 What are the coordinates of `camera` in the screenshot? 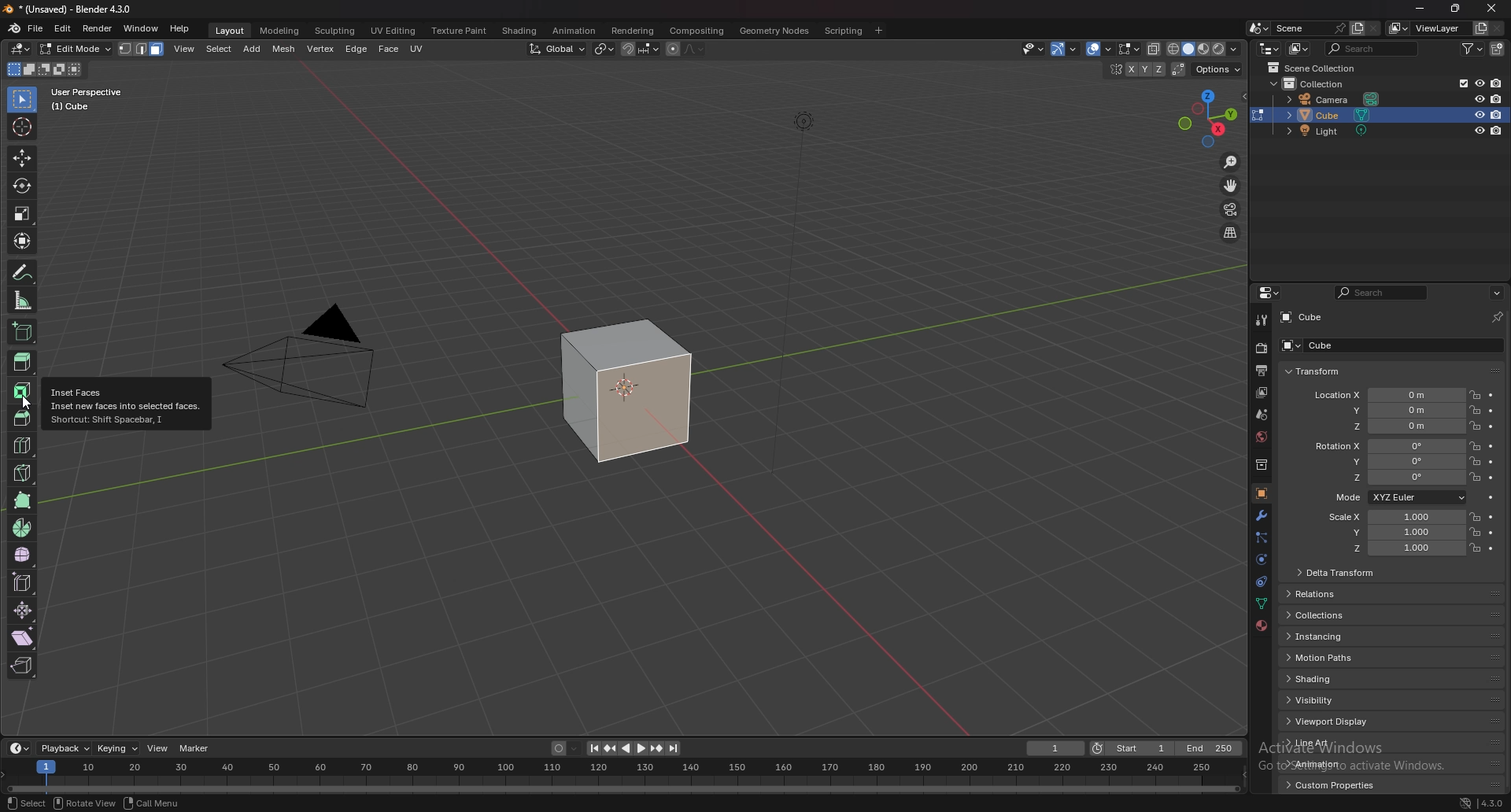 It's located at (1335, 99).